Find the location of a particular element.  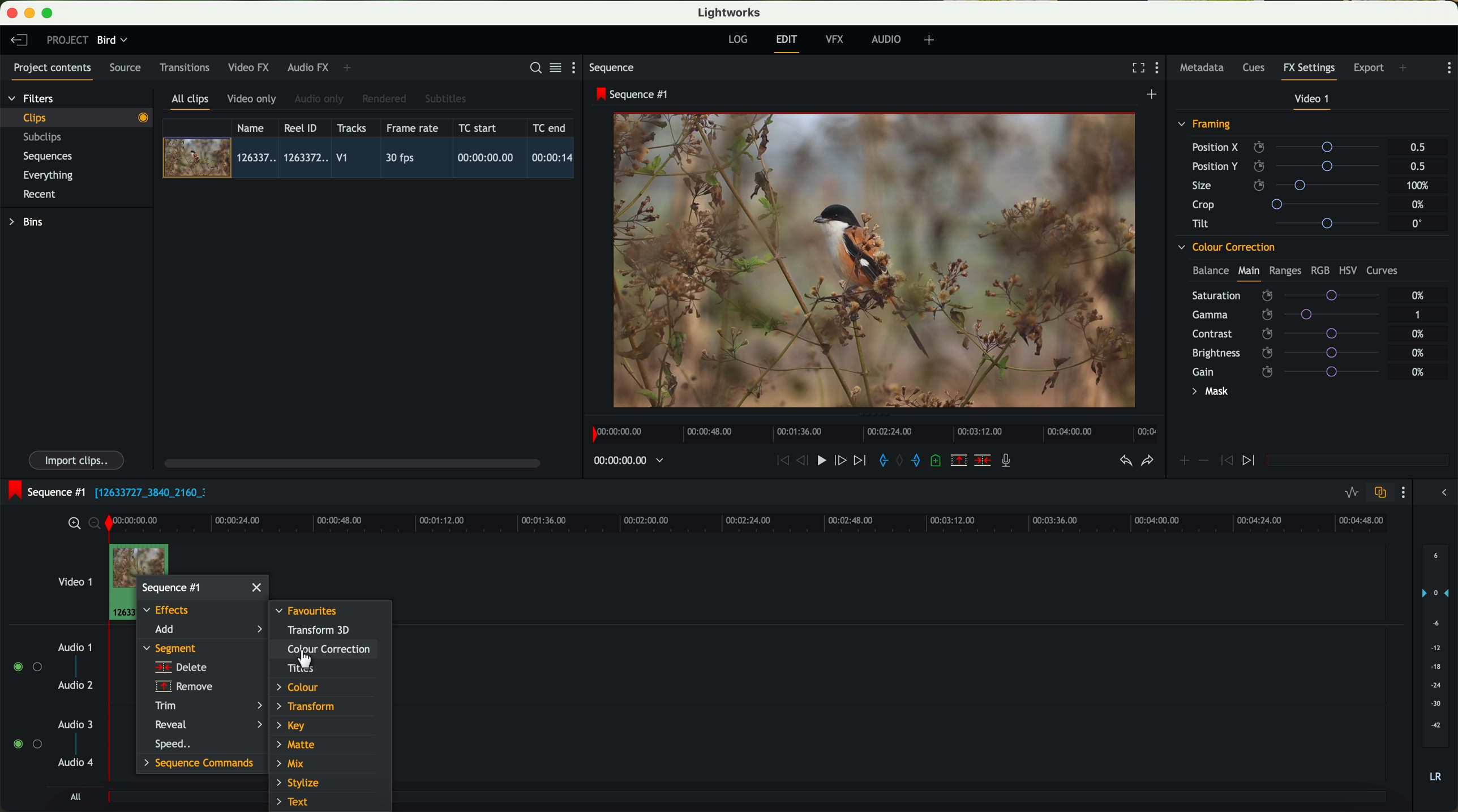

saturation is located at coordinates (1292, 295).